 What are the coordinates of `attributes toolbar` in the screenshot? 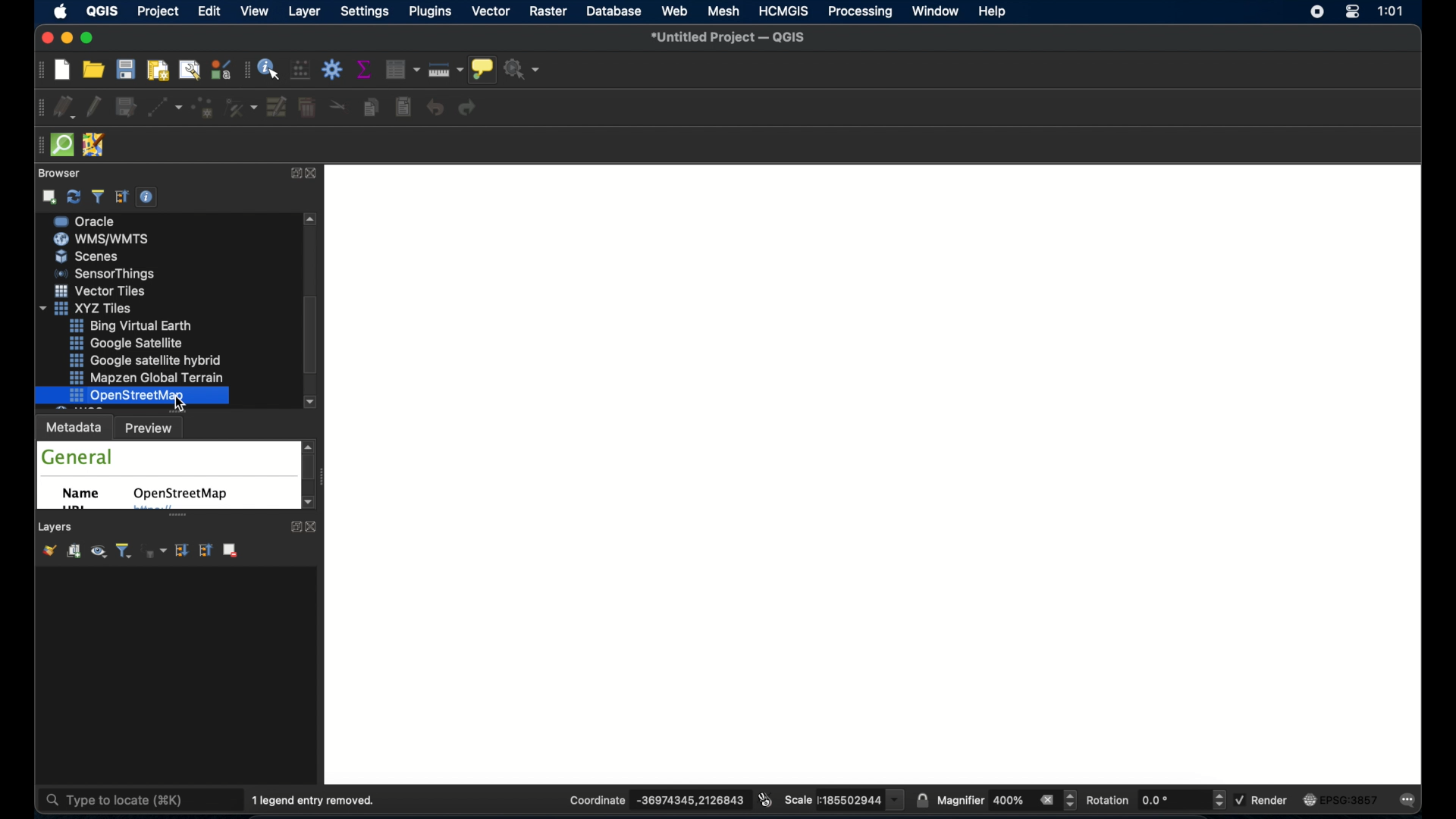 It's located at (246, 69).